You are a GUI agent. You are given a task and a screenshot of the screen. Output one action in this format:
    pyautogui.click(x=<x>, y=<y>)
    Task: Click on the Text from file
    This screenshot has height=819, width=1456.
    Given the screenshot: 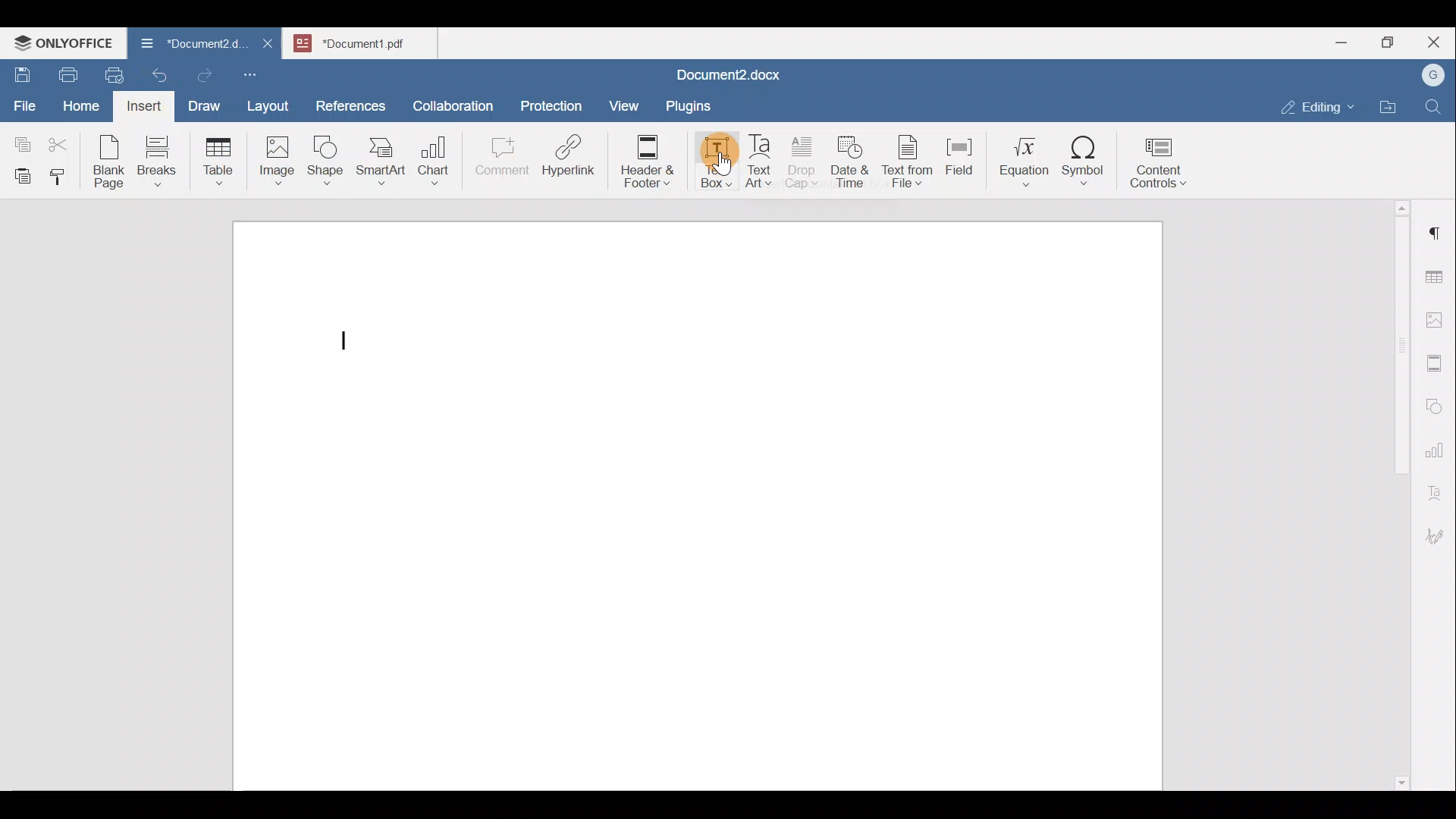 What is the action you would take?
    pyautogui.click(x=910, y=160)
    